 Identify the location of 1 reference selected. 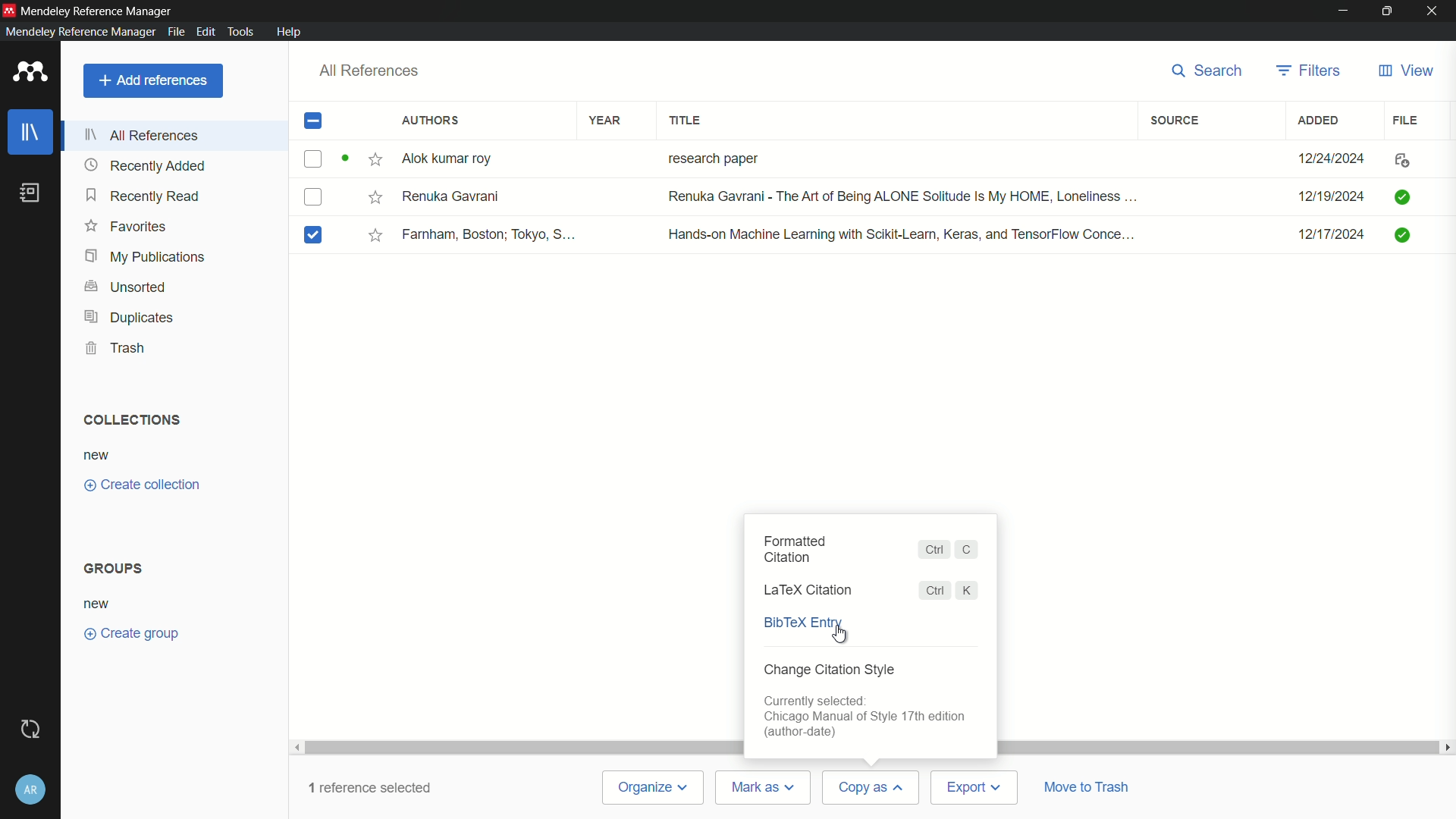
(370, 789).